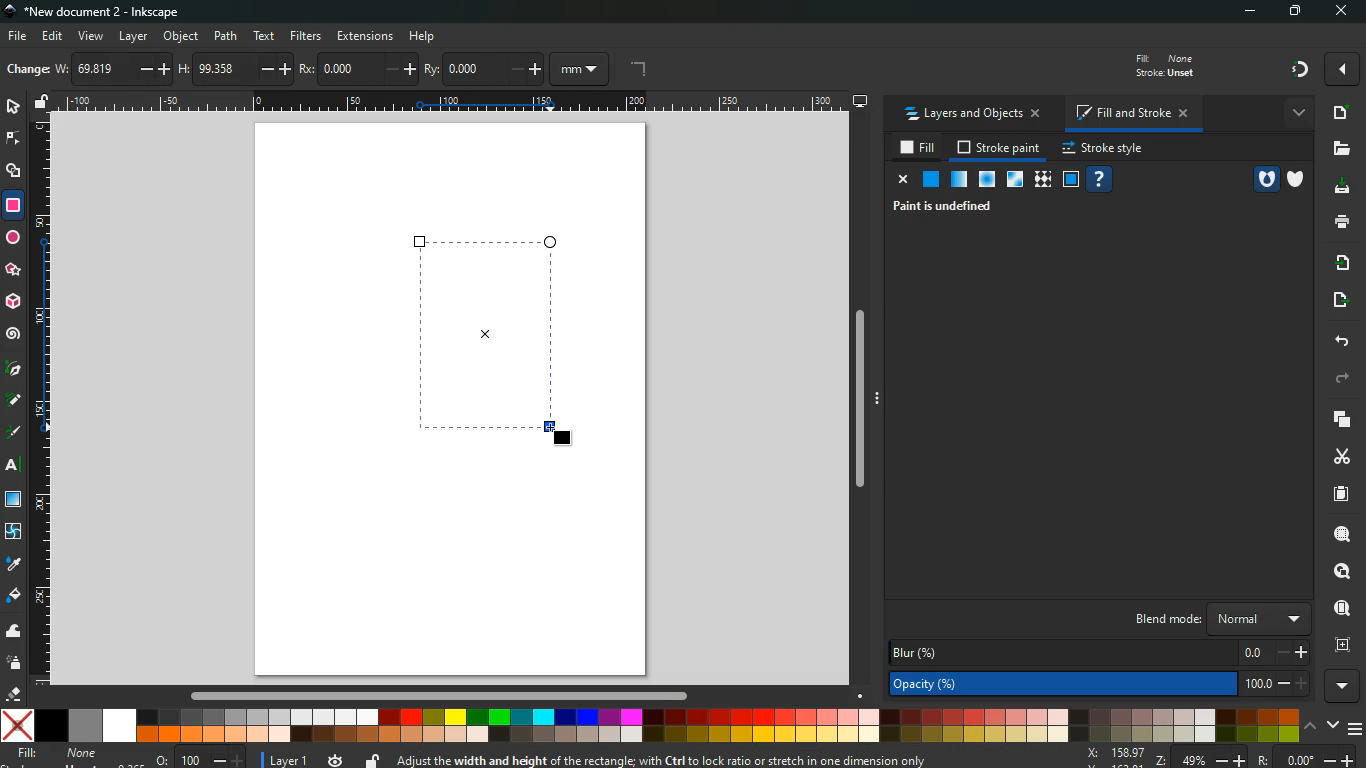 This screenshot has height=768, width=1366. What do you see at coordinates (18, 35) in the screenshot?
I see `file` at bounding box center [18, 35].